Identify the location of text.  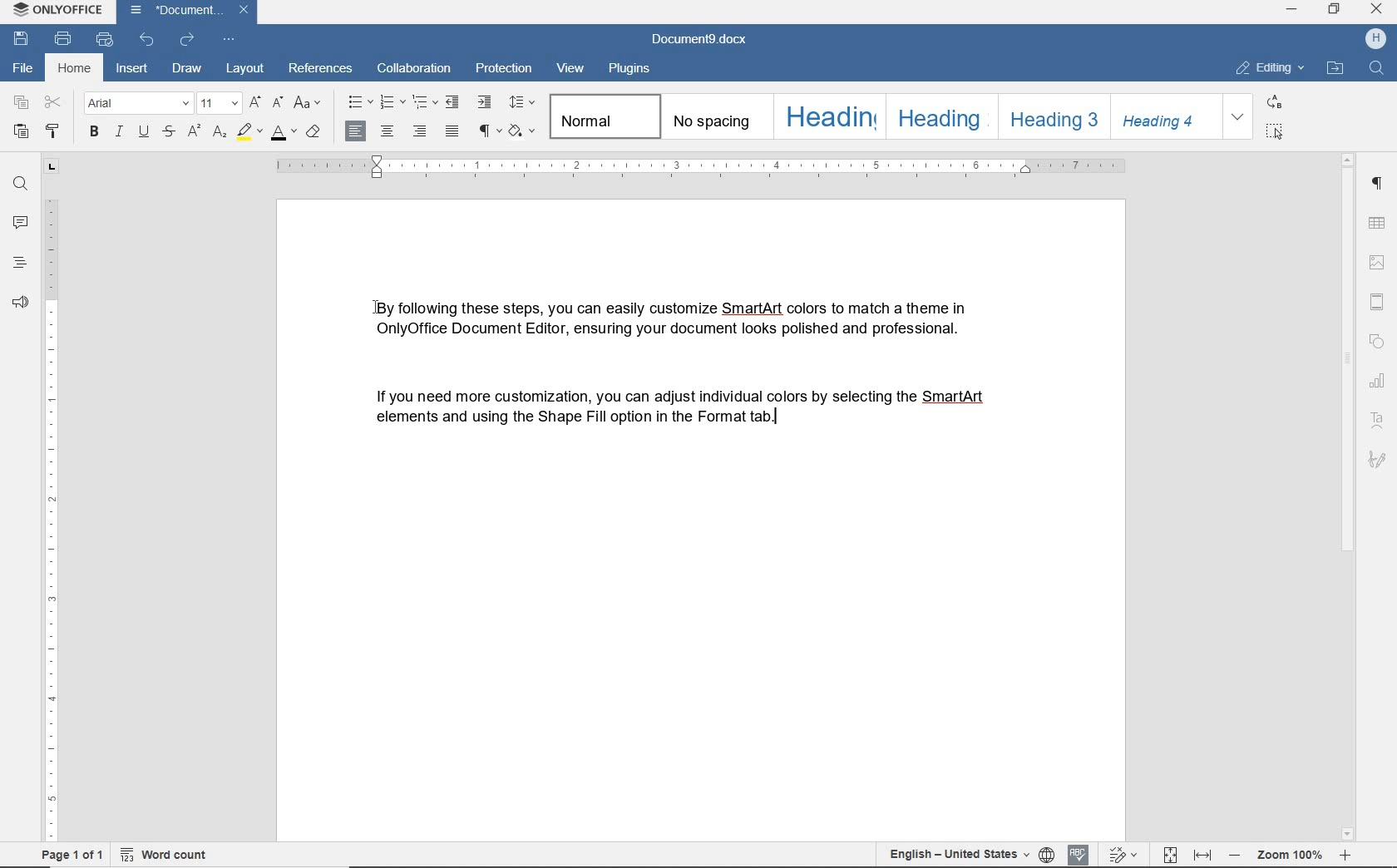
(687, 416).